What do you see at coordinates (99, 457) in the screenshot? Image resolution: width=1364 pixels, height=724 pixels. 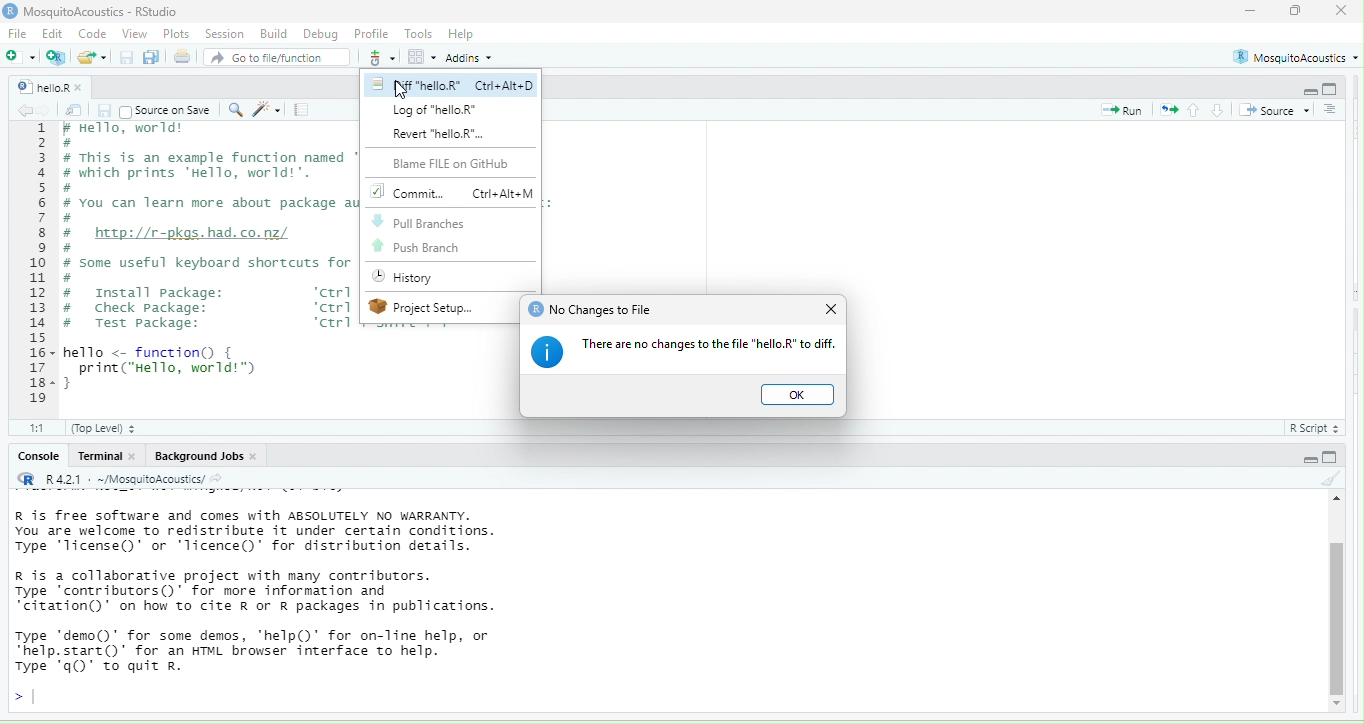 I see ` Terminal` at bounding box center [99, 457].